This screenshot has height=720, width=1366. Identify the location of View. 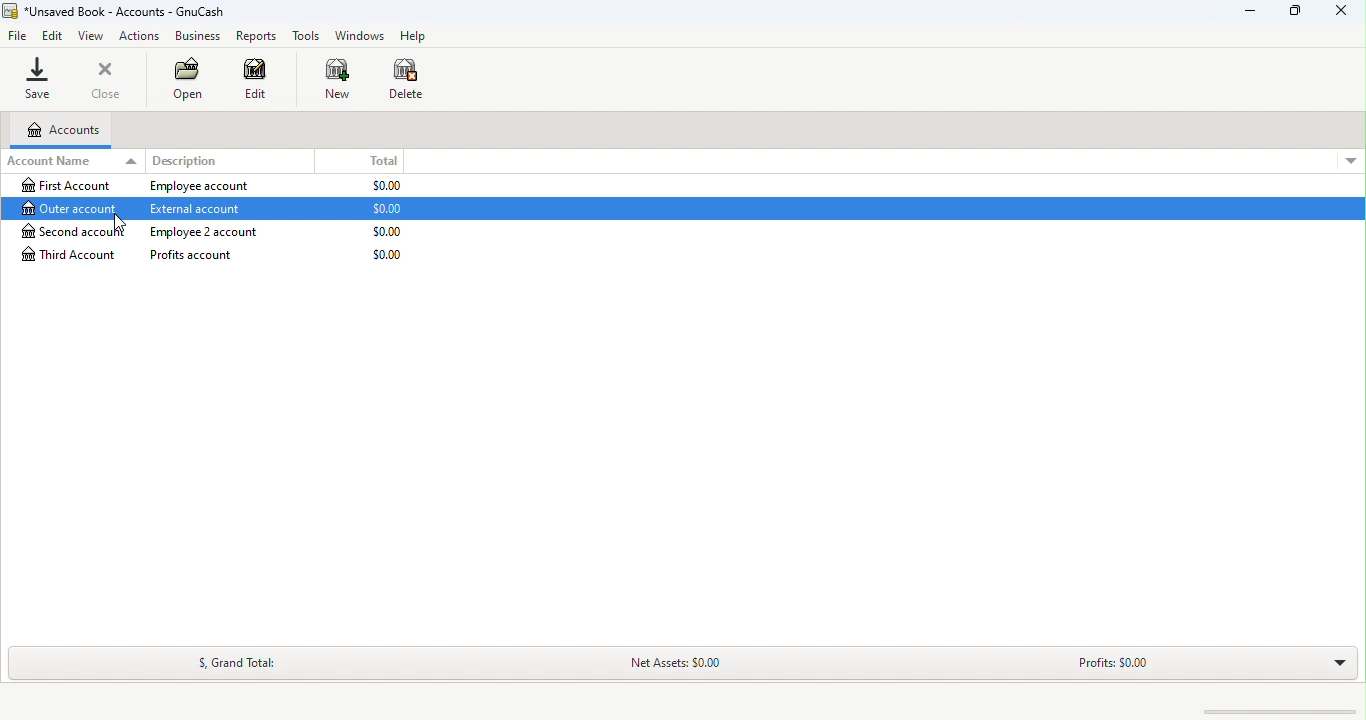
(92, 35).